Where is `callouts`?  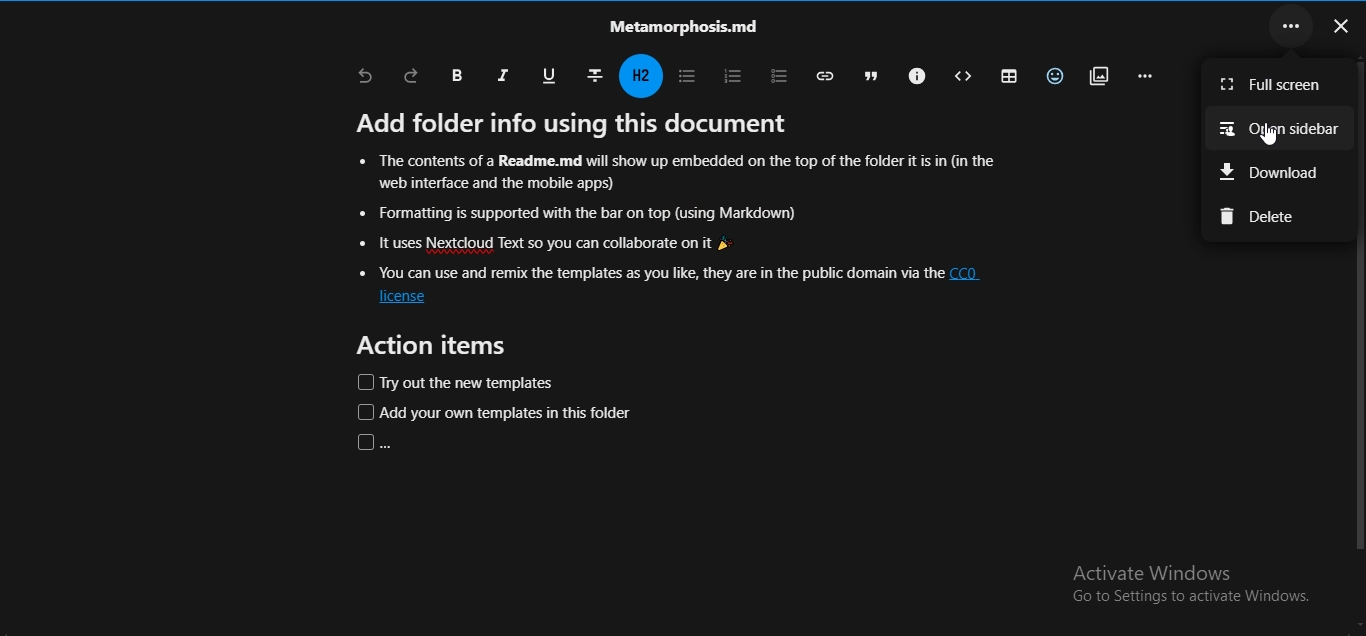 callouts is located at coordinates (914, 74).